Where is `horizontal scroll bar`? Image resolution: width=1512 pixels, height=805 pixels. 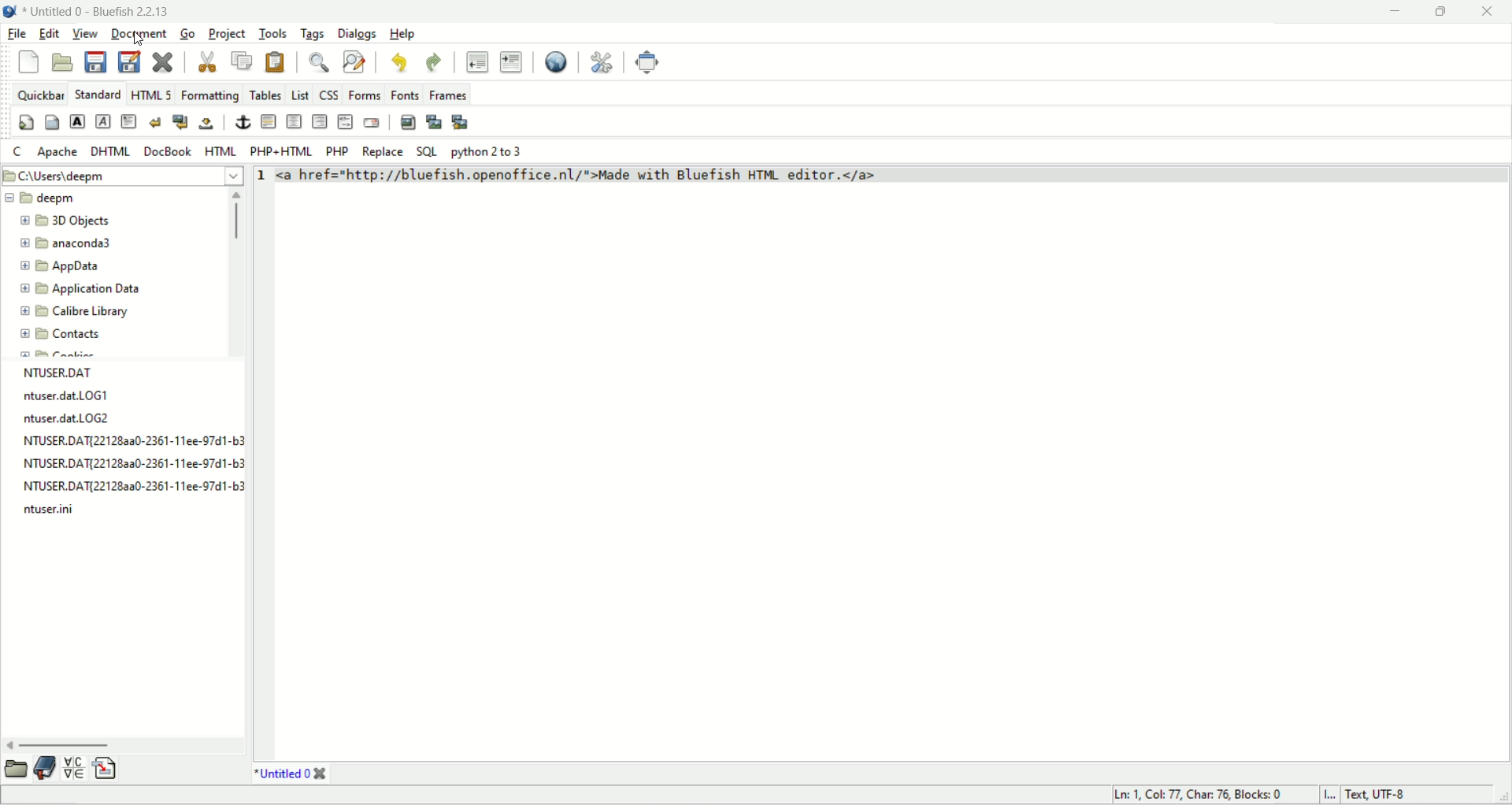
horizontal scroll bar is located at coordinates (125, 741).